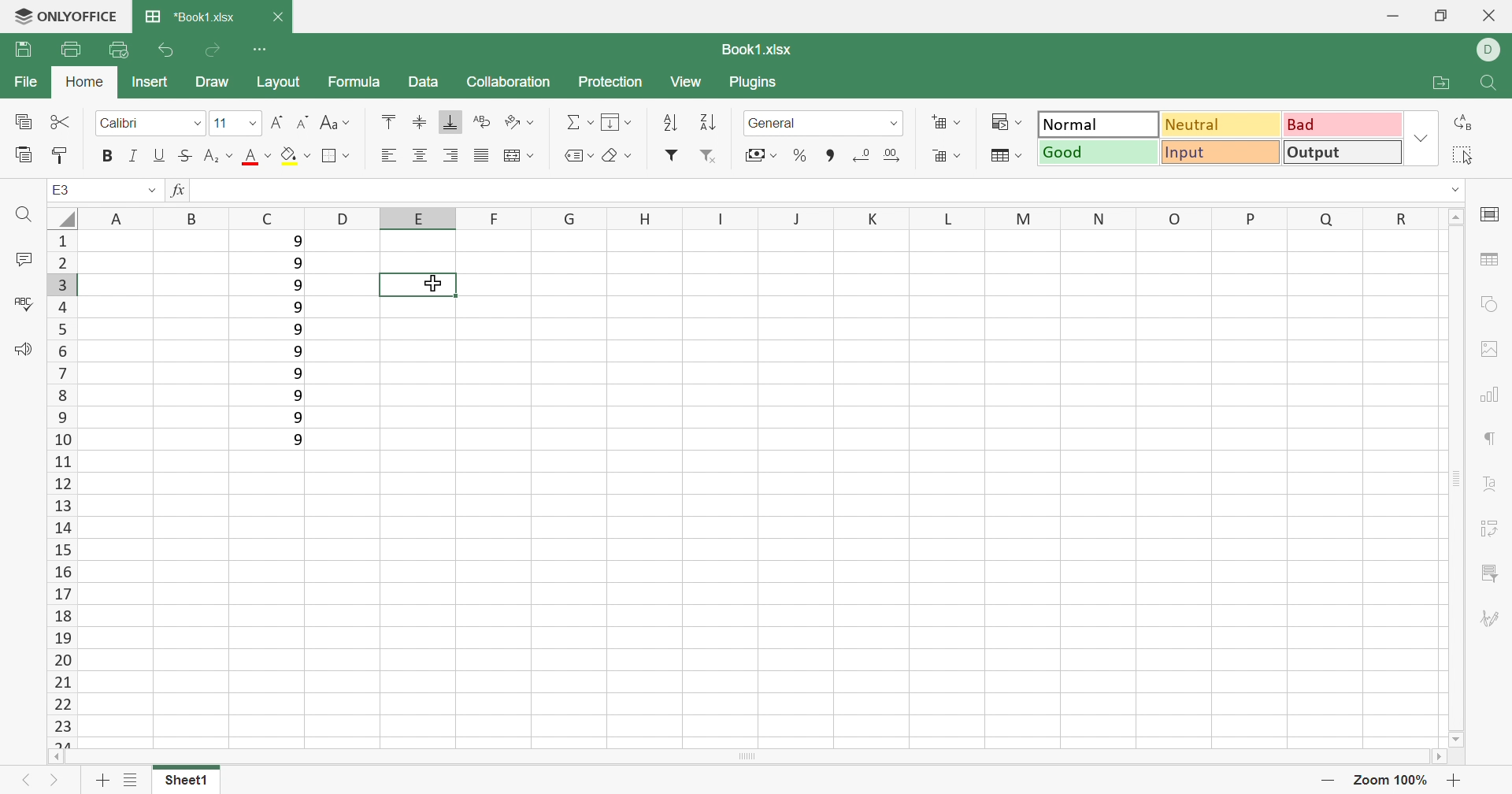 This screenshot has height=794, width=1512. Describe the element at coordinates (691, 85) in the screenshot. I see `View` at that location.